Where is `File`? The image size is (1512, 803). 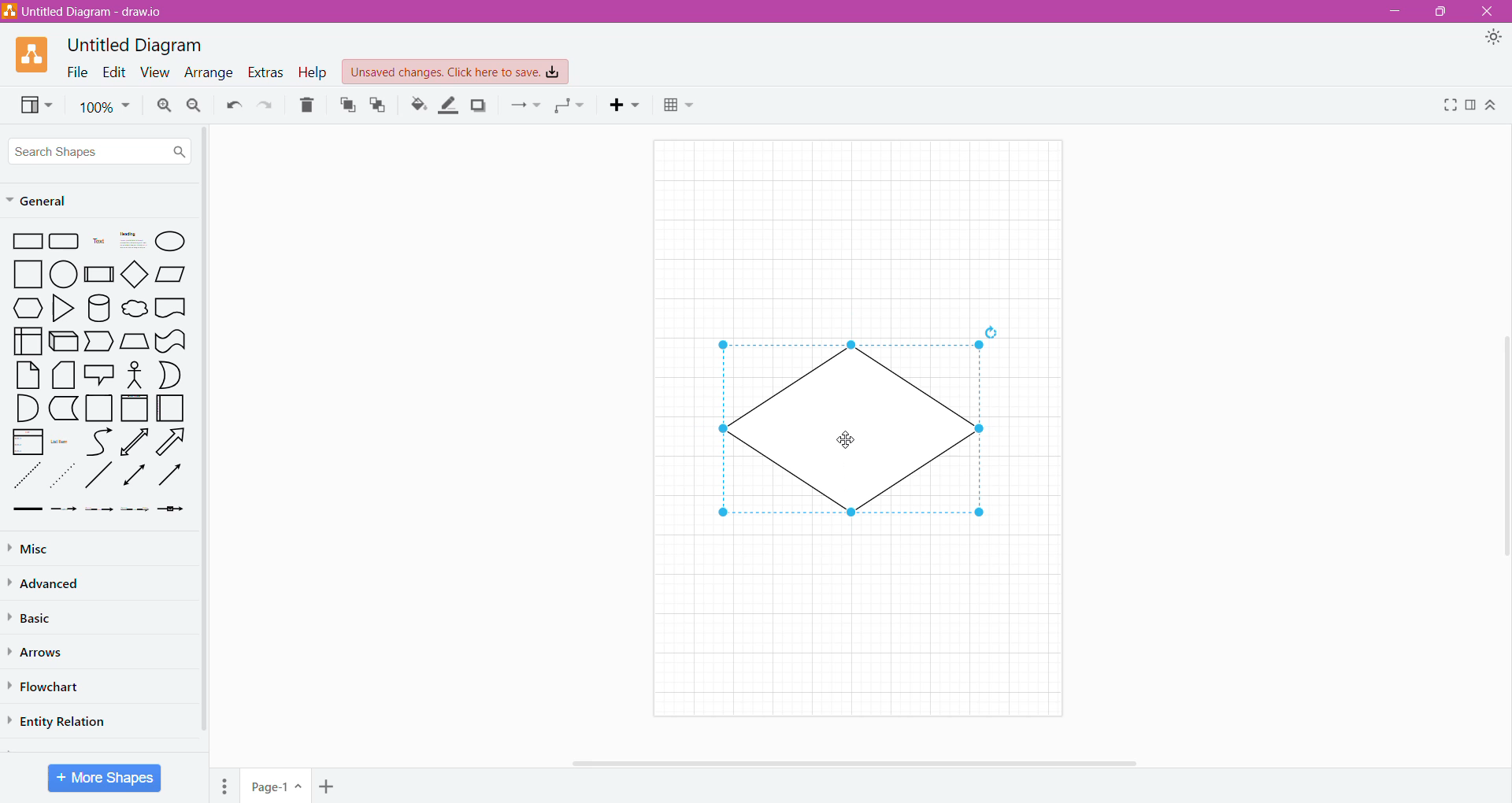 File is located at coordinates (73, 72).